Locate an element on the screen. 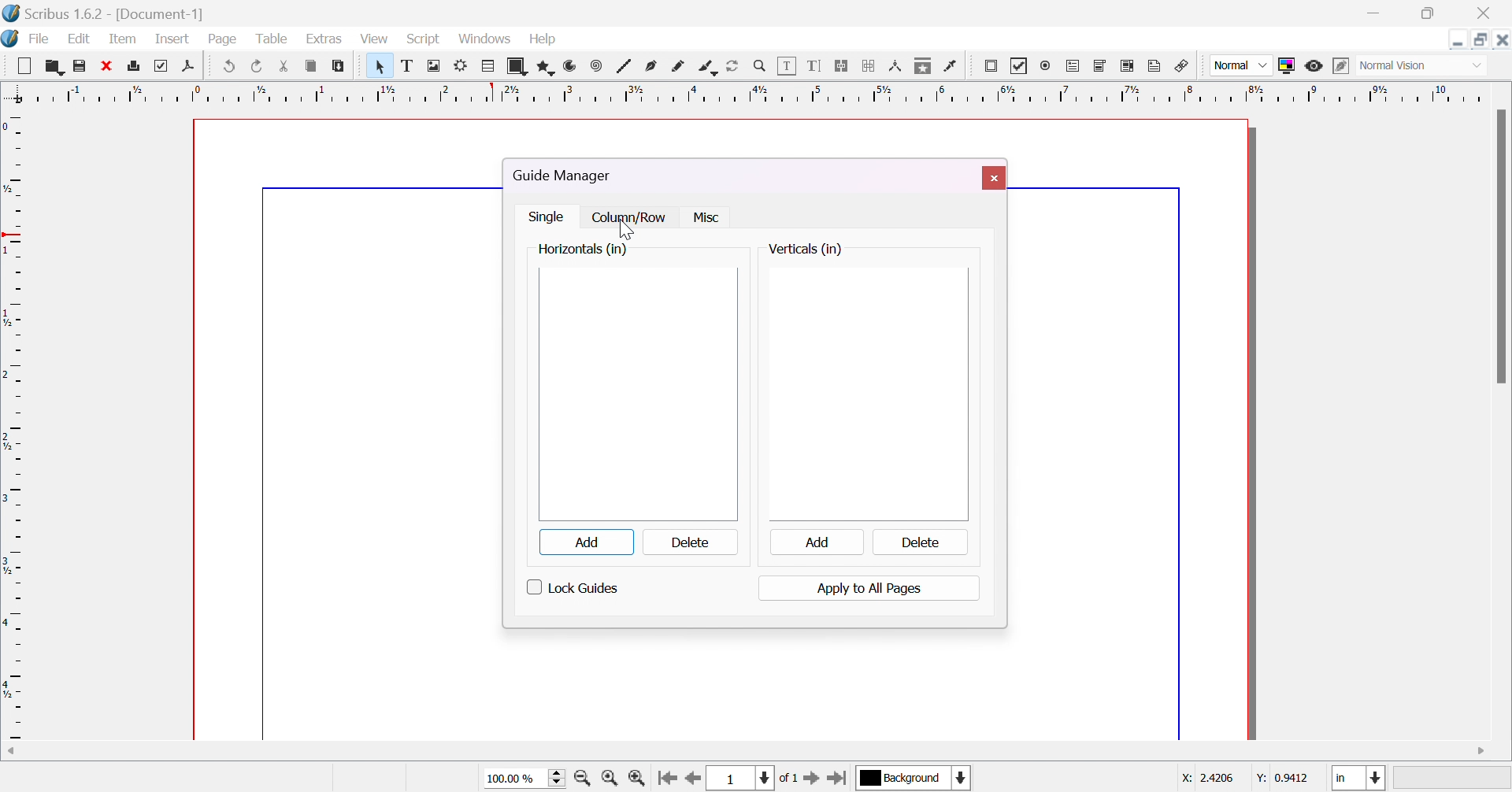 The height and width of the screenshot is (792, 1512). paste is located at coordinates (338, 65).